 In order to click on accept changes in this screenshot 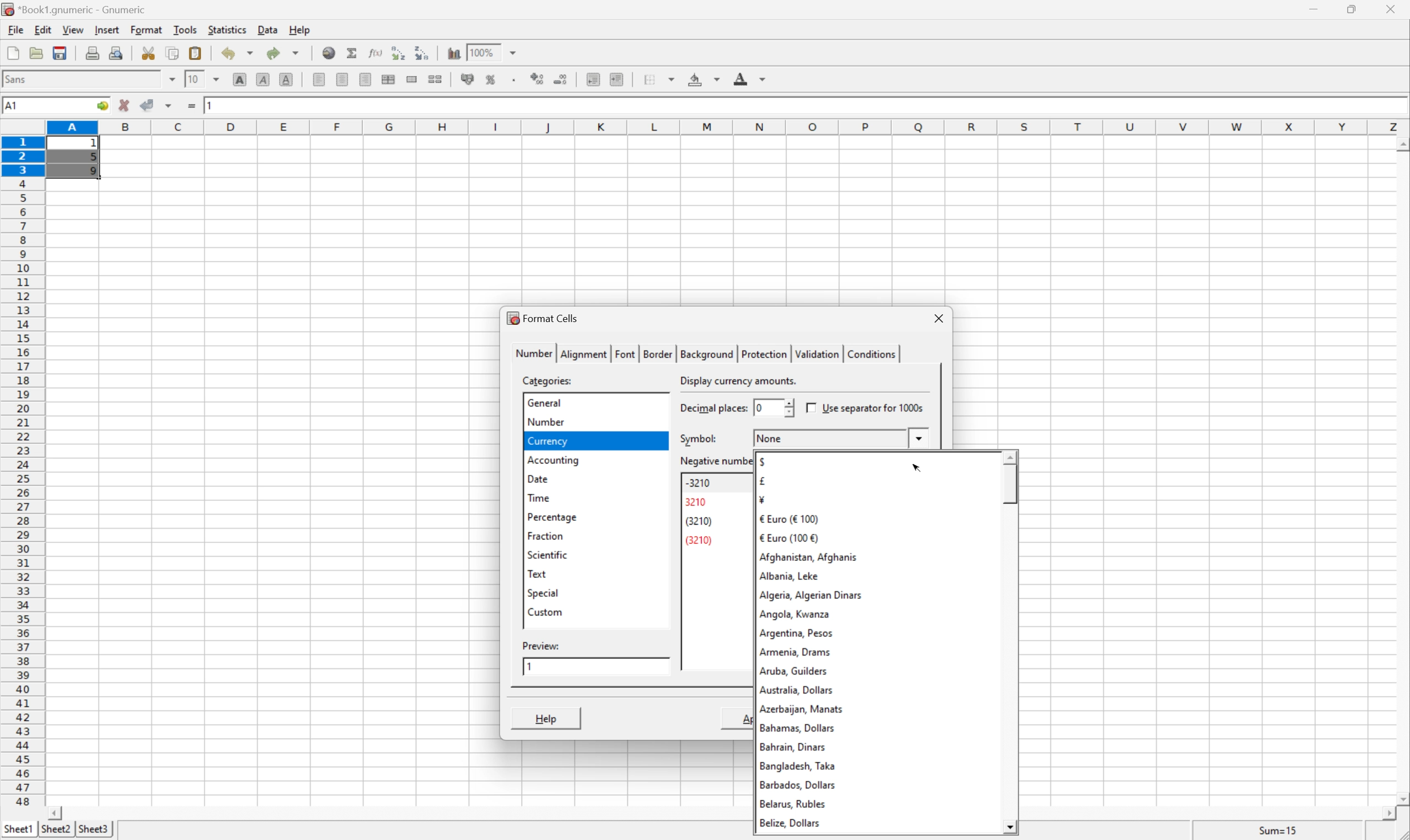, I will do `click(148, 104)`.